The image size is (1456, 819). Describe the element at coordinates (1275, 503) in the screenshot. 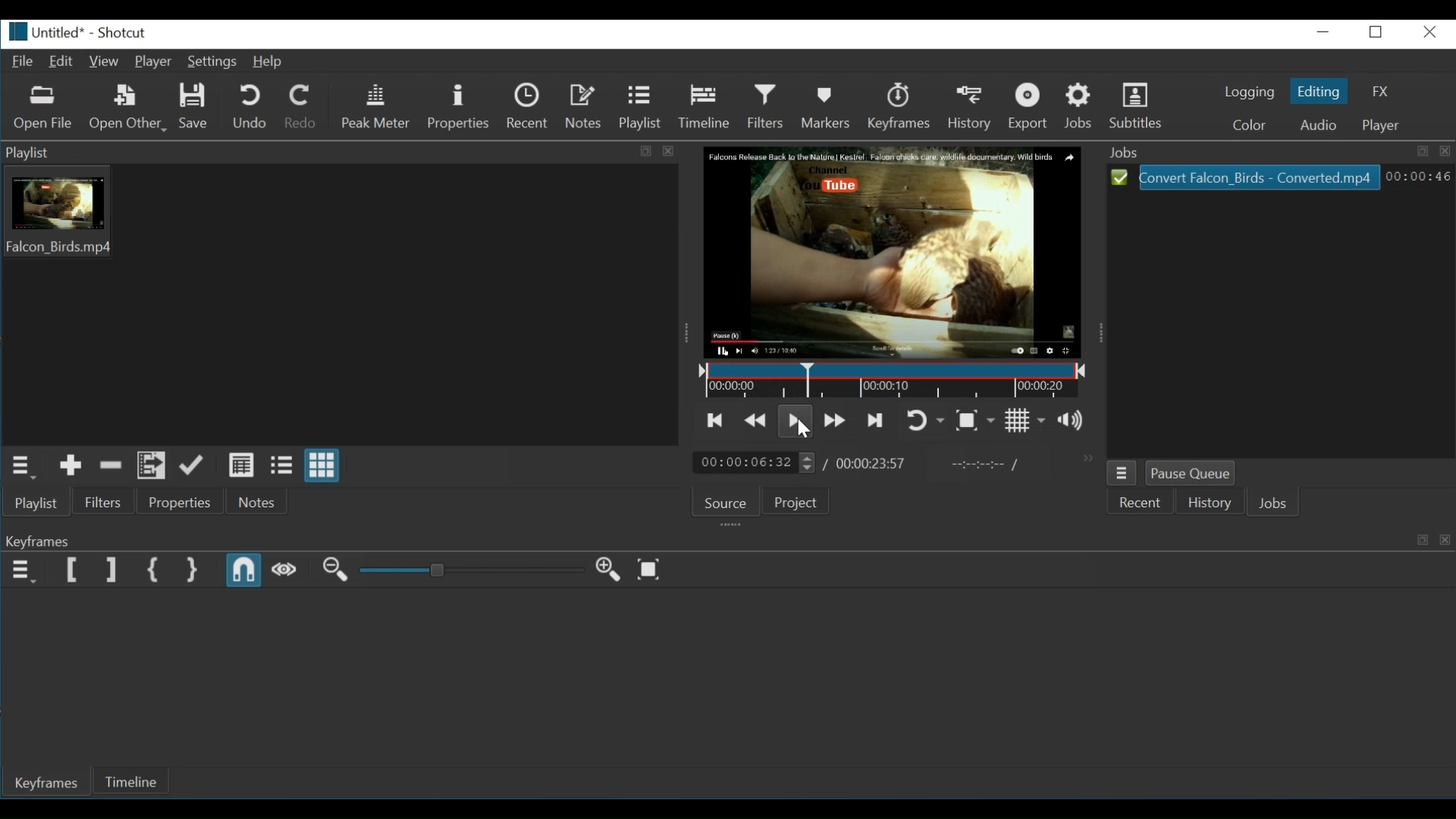

I see `Jobs` at that location.